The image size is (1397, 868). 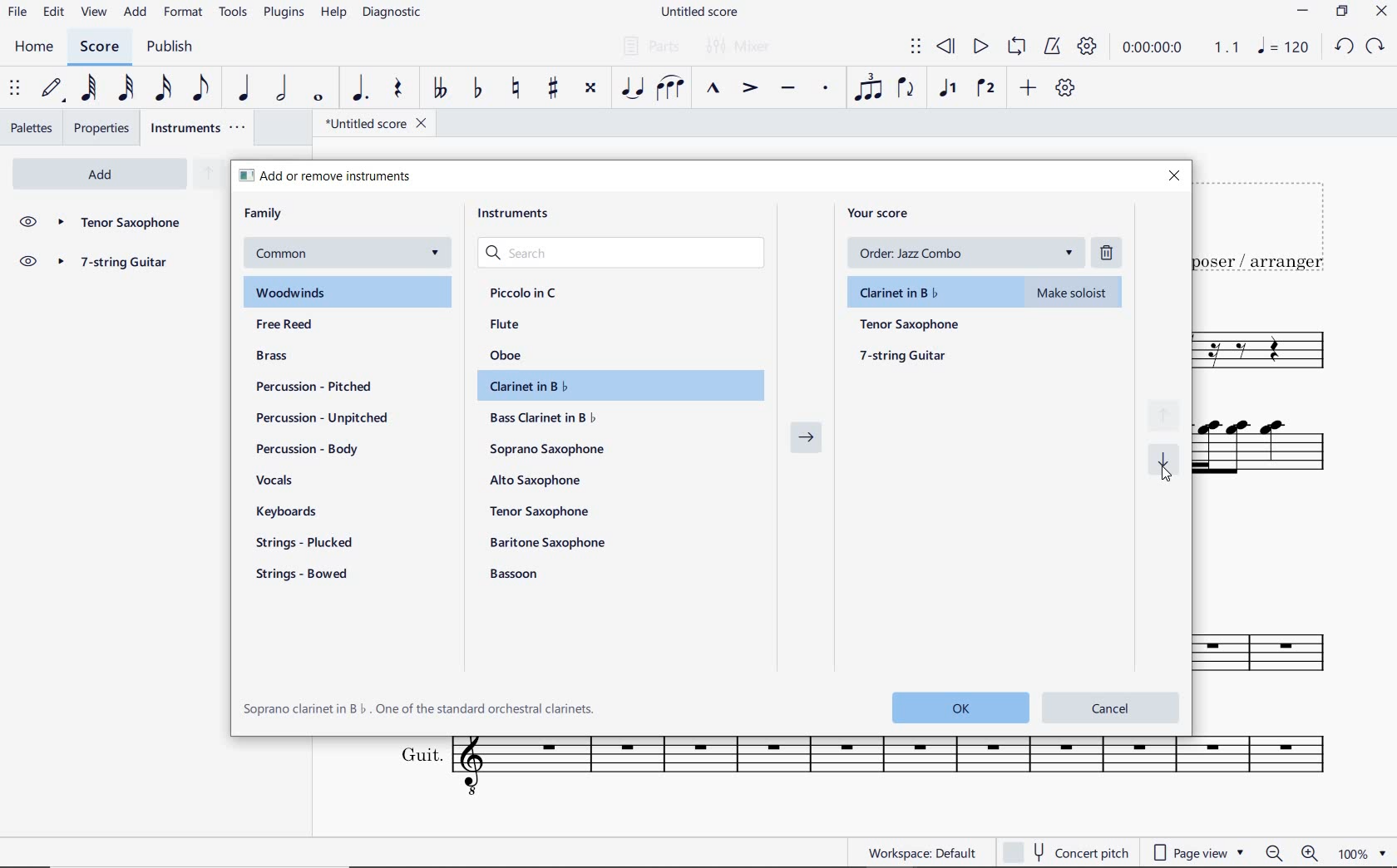 I want to click on SELECET TO MOVE, so click(x=15, y=89).